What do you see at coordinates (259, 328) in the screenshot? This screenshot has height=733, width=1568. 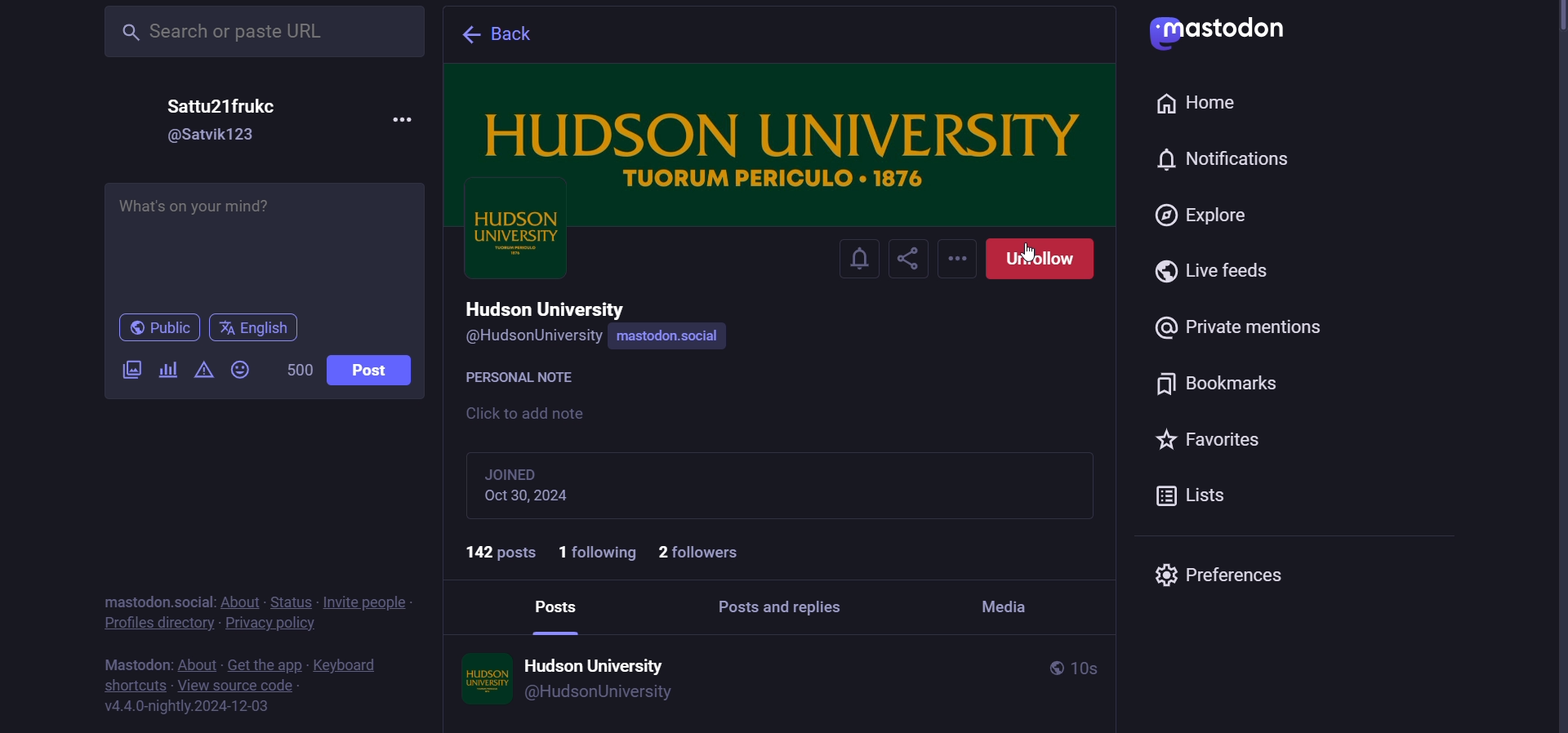 I see `language` at bounding box center [259, 328].